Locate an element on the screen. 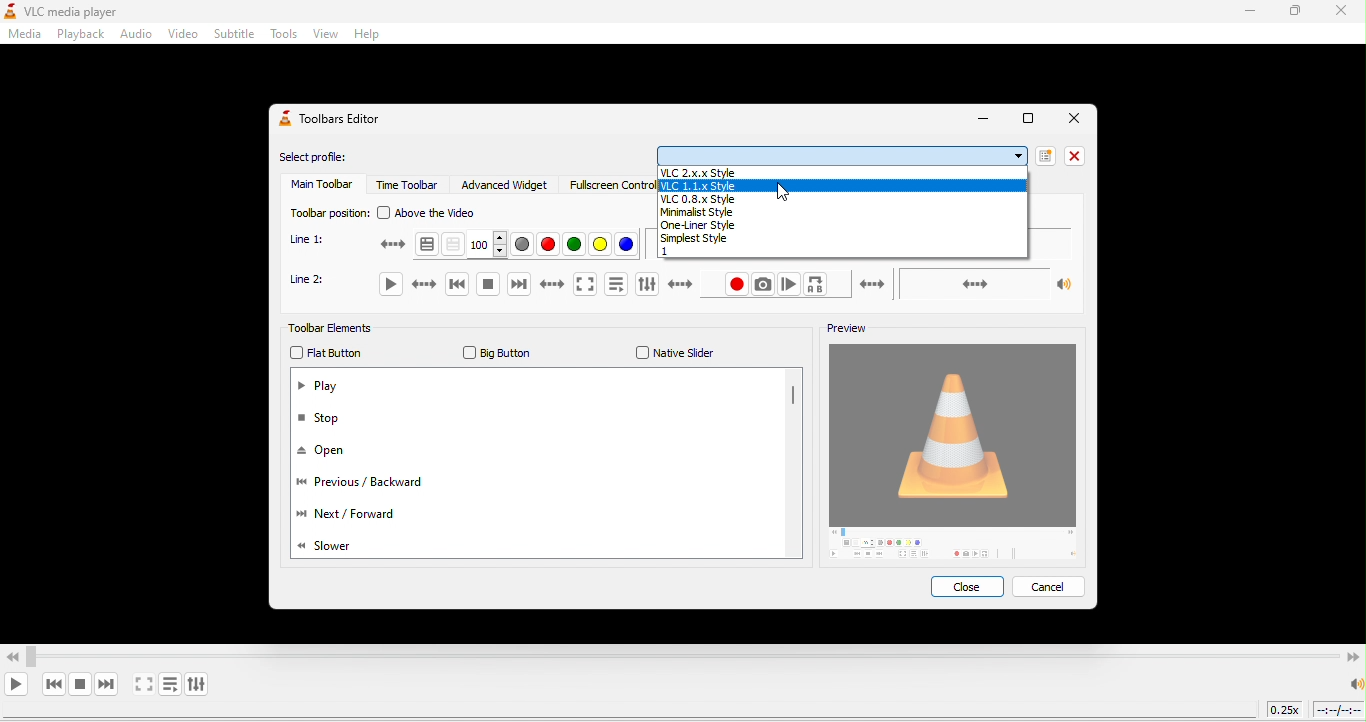 The height and width of the screenshot is (722, 1366). toggle playlist is located at coordinates (171, 684).